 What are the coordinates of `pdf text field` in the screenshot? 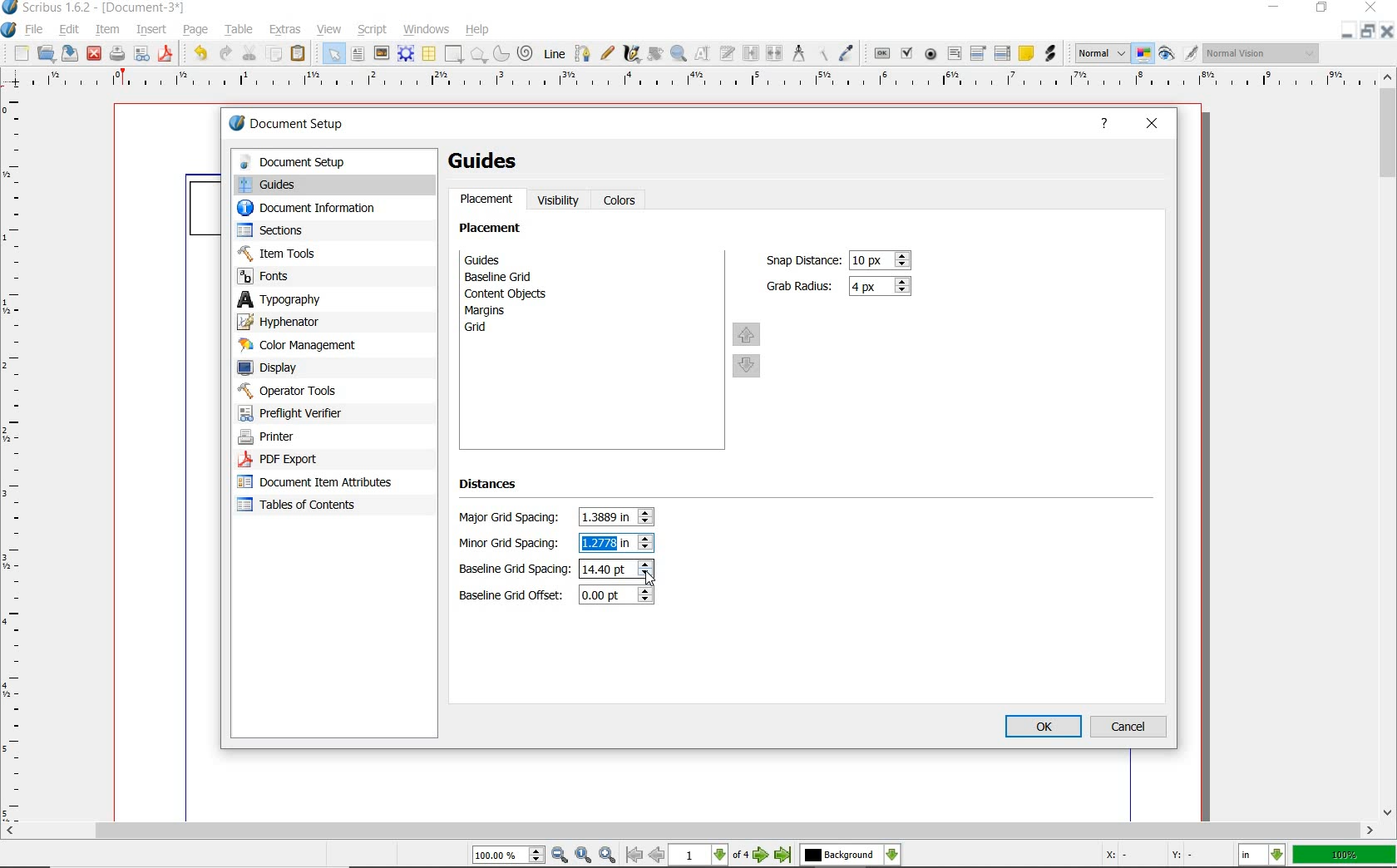 It's located at (955, 53).